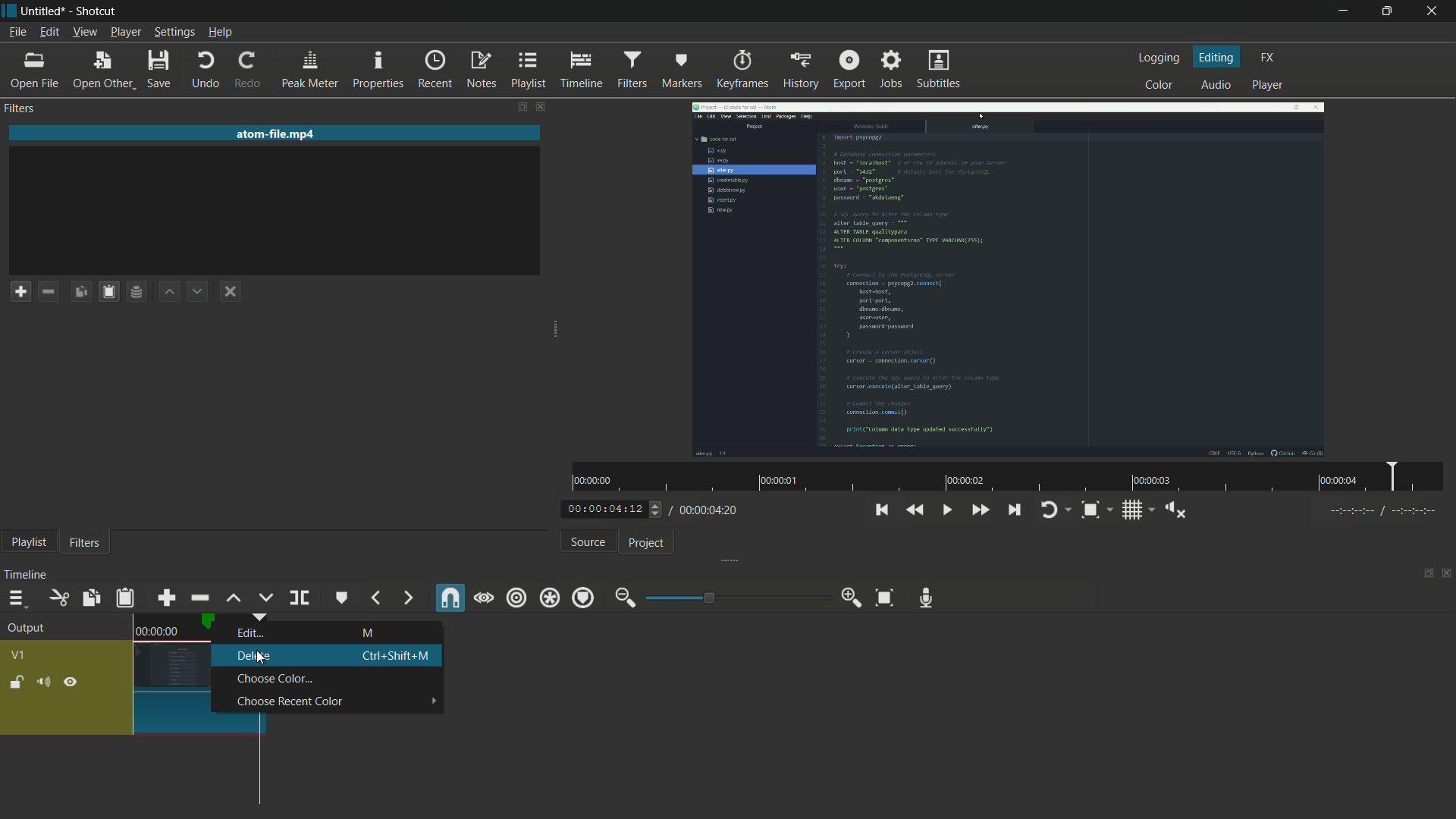  What do you see at coordinates (99, 69) in the screenshot?
I see `open other` at bounding box center [99, 69].